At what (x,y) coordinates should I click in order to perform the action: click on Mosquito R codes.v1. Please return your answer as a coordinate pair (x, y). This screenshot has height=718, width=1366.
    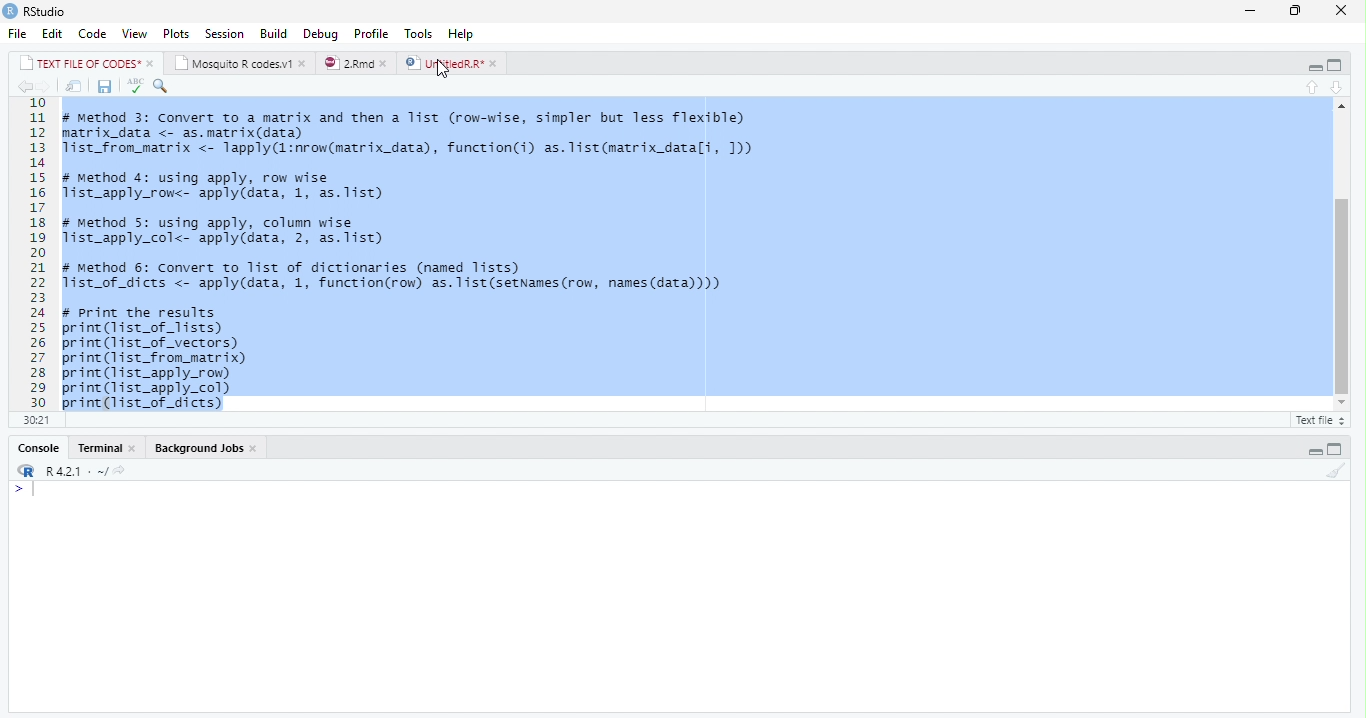
    Looking at the image, I should click on (239, 62).